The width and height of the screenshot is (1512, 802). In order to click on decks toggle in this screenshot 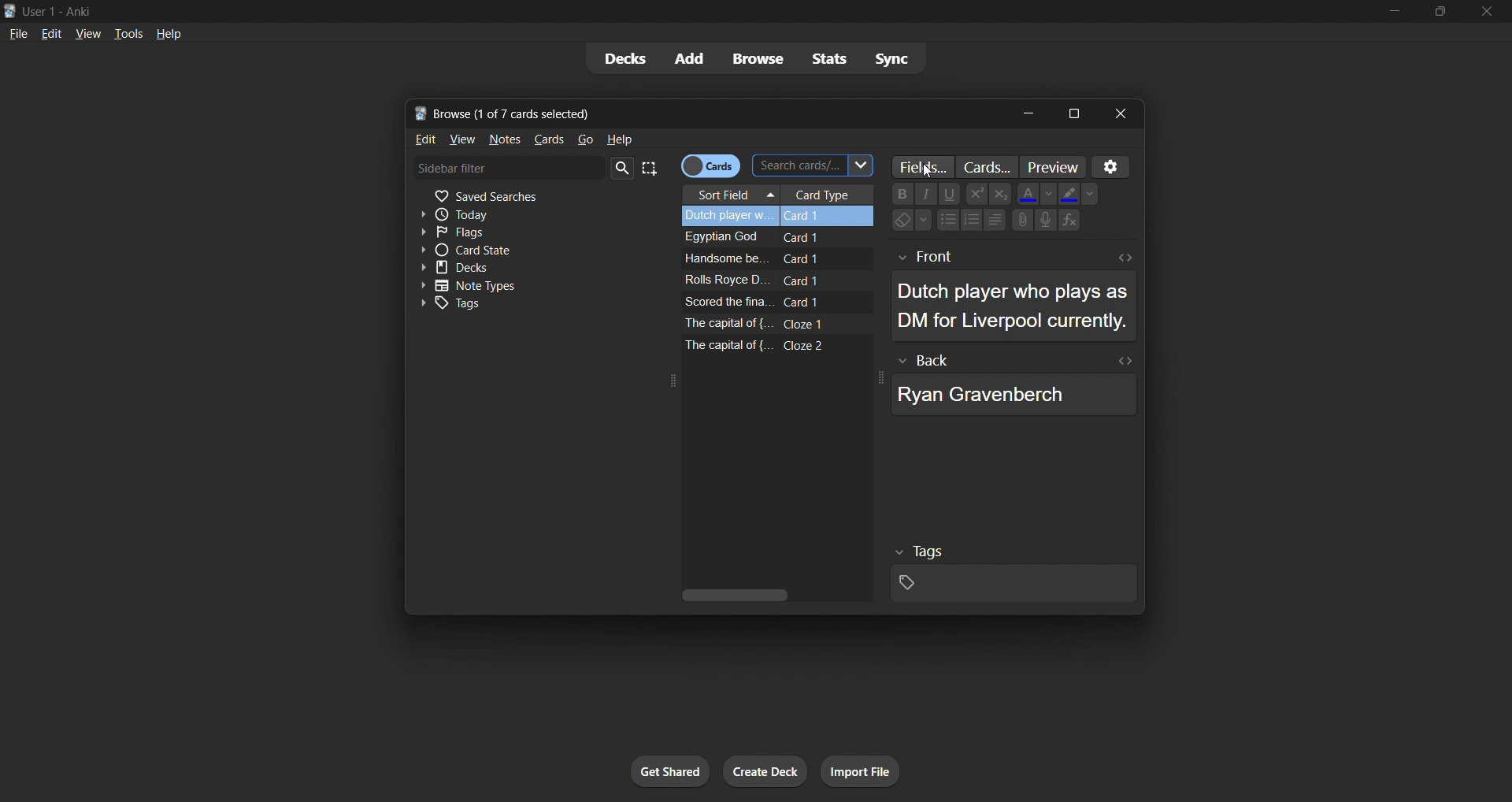, I will do `click(509, 267)`.